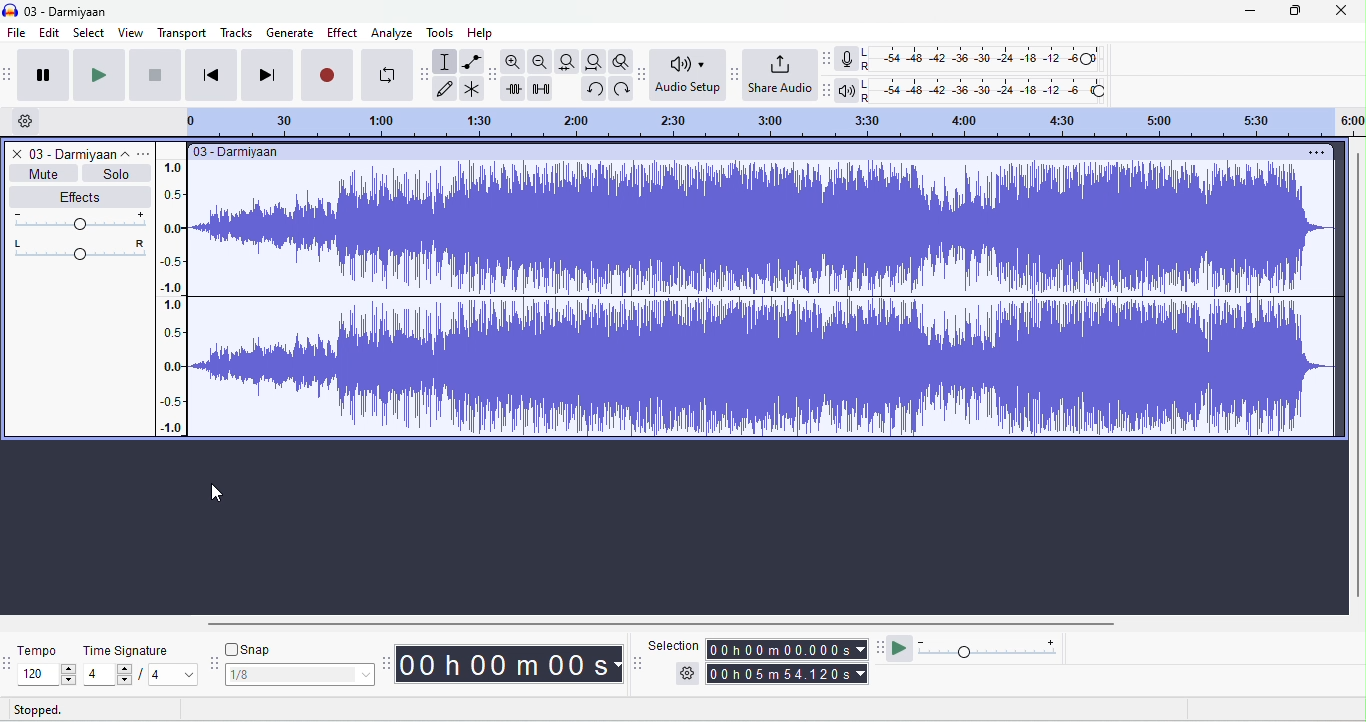  What do you see at coordinates (984, 59) in the screenshot?
I see `recoding level` at bounding box center [984, 59].